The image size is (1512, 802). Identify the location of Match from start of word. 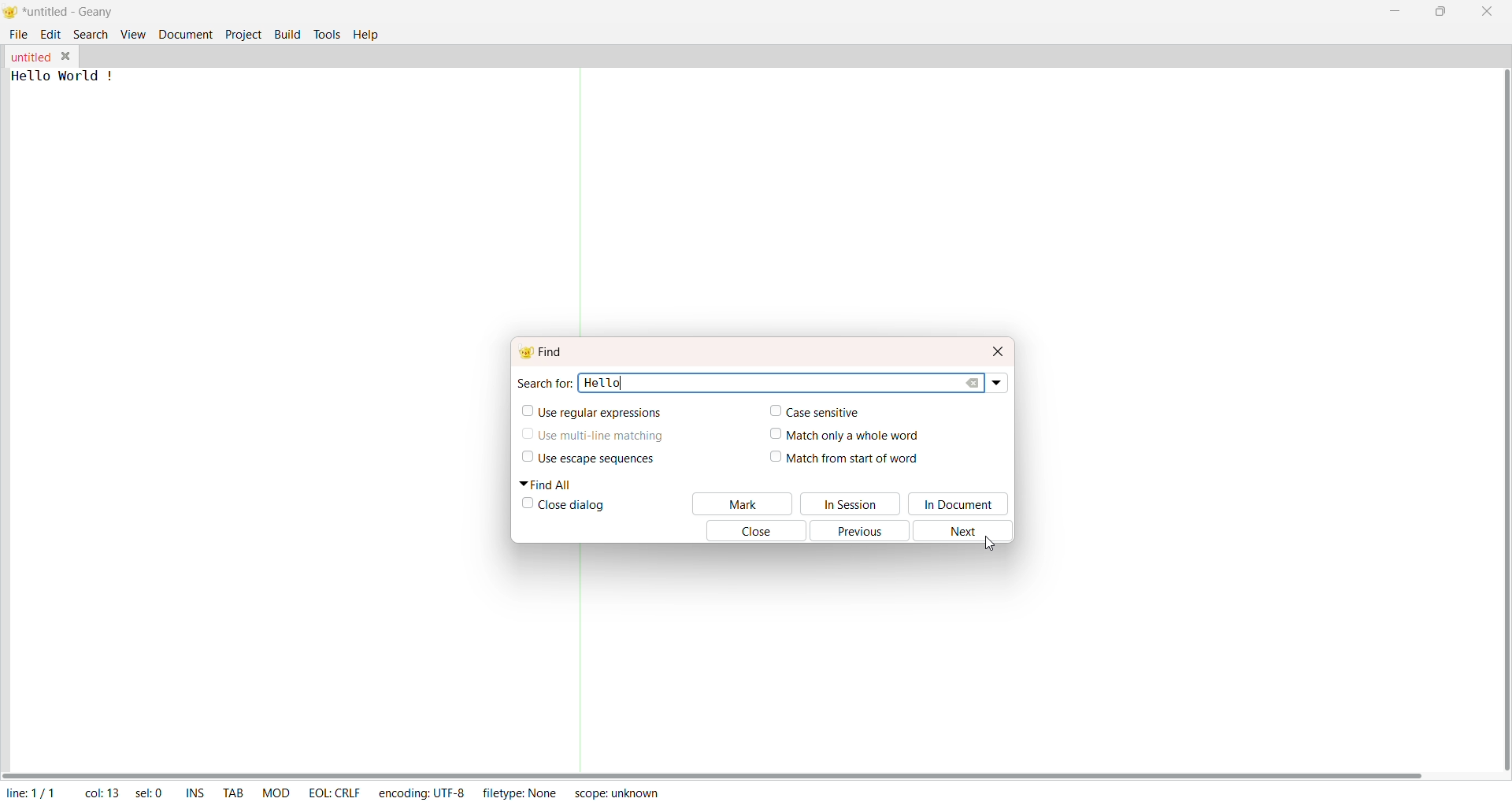
(858, 459).